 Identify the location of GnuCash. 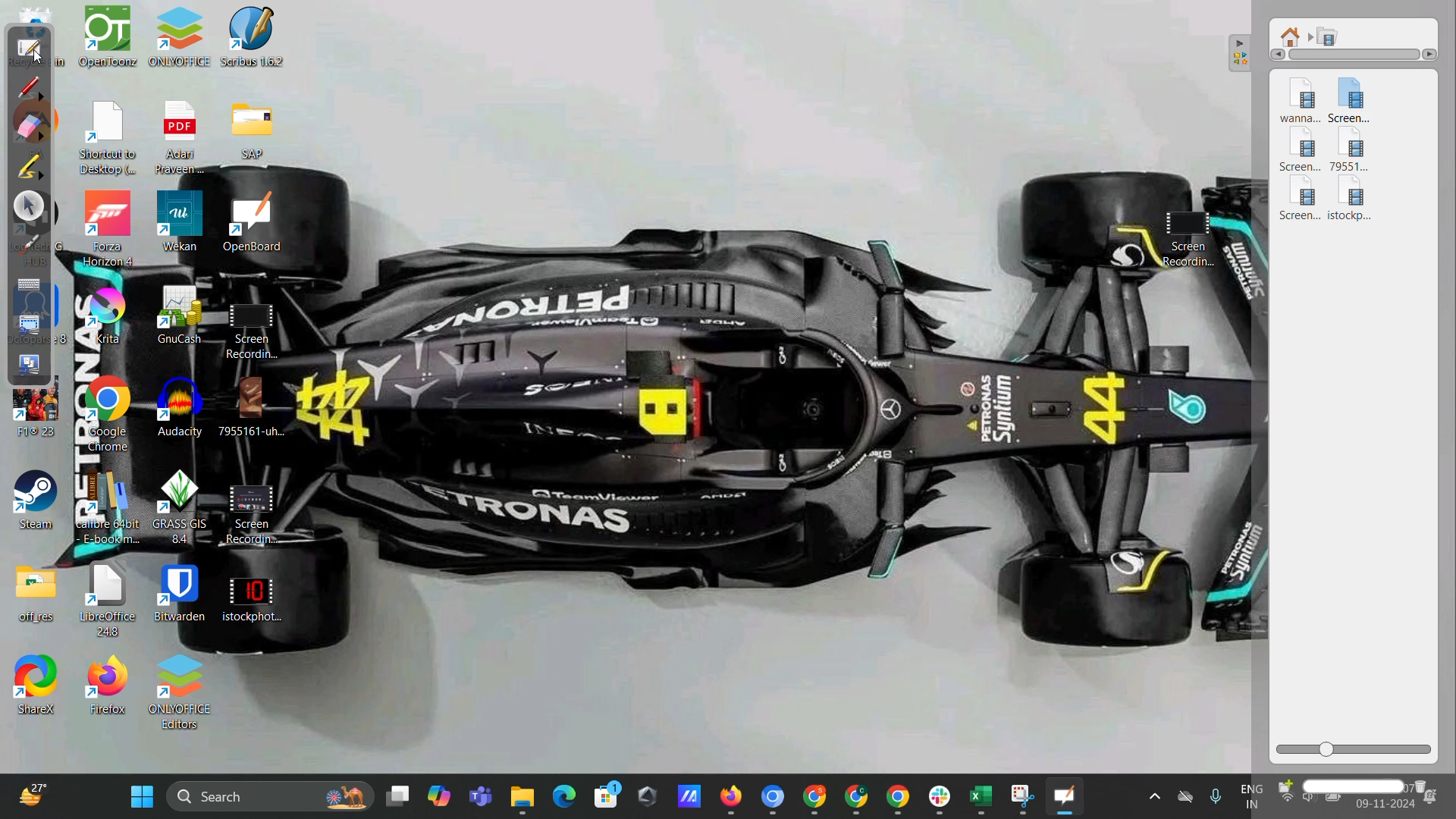
(181, 316).